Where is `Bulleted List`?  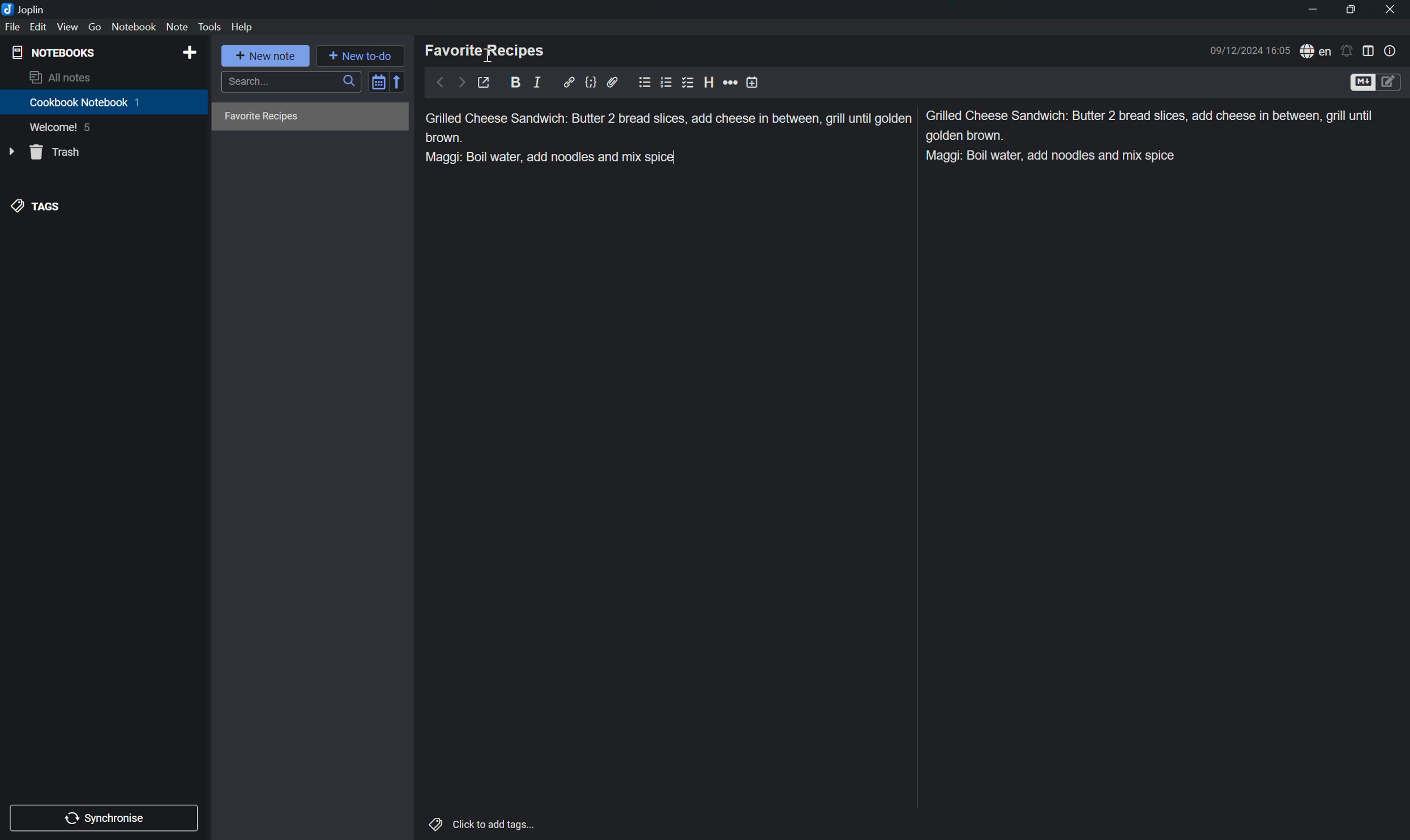
Bulleted List is located at coordinates (643, 83).